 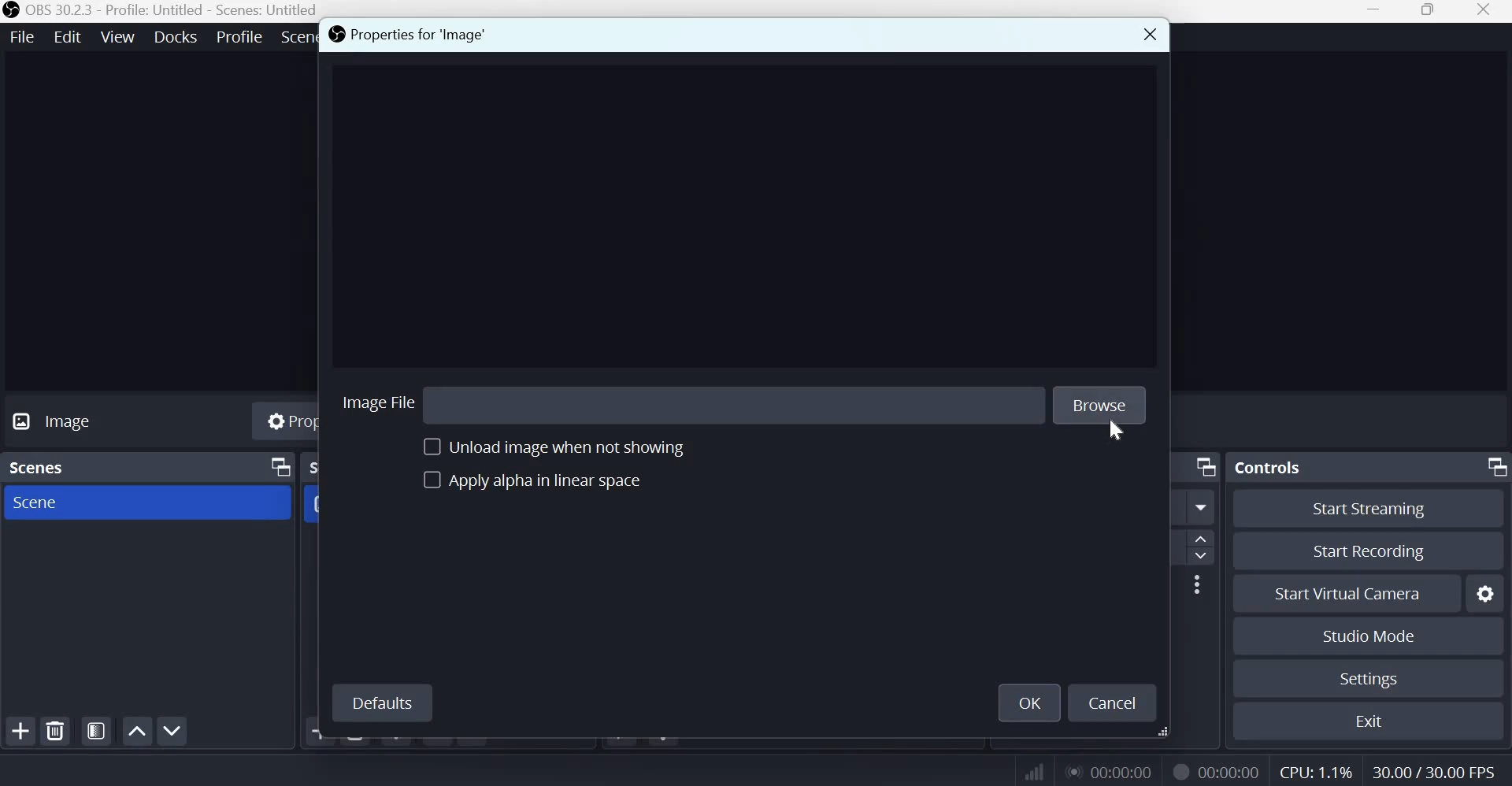 What do you see at coordinates (1028, 701) in the screenshot?
I see `ok` at bounding box center [1028, 701].